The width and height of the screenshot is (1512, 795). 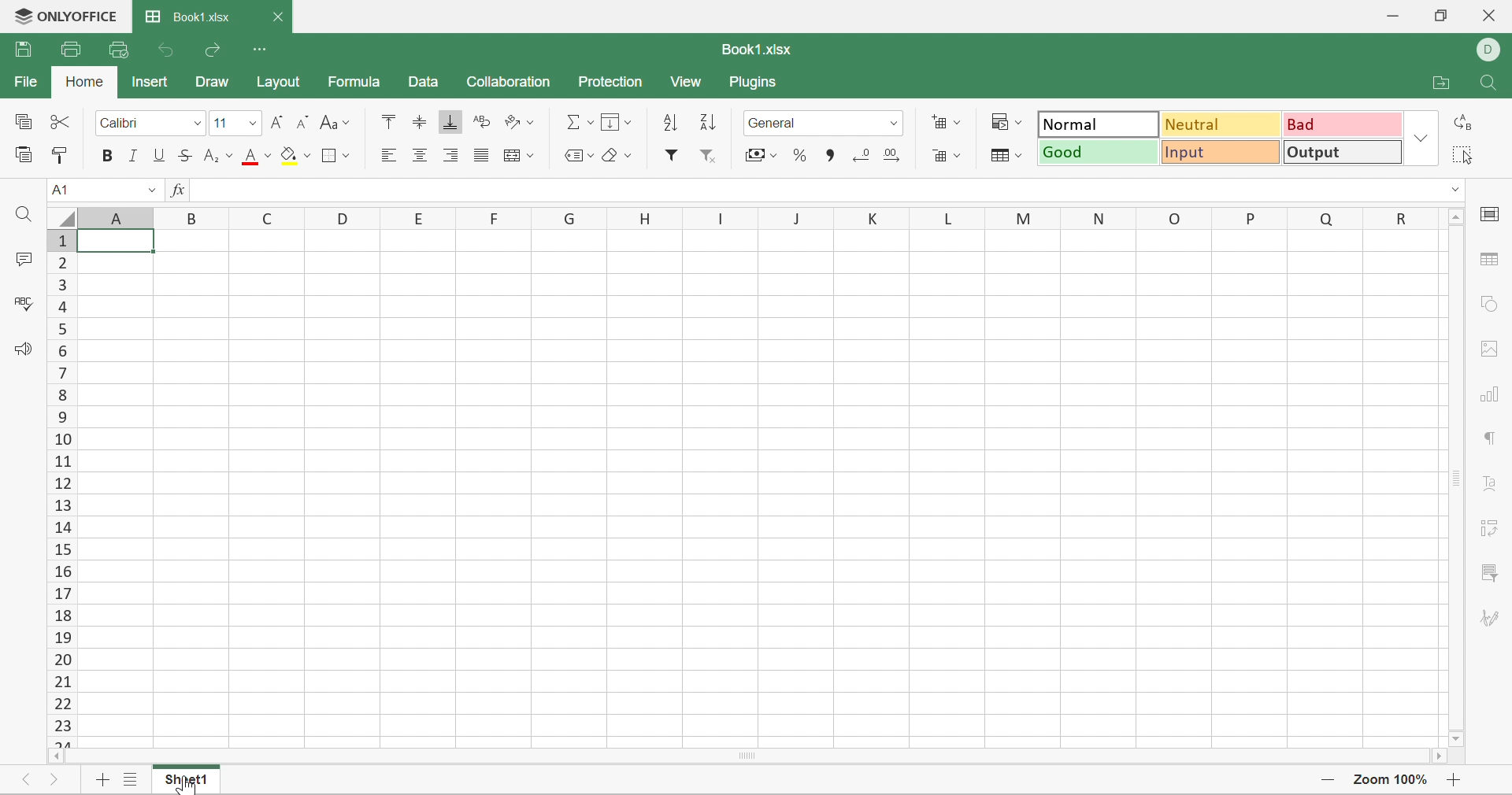 I want to click on Zoom 100%, so click(x=1392, y=782).